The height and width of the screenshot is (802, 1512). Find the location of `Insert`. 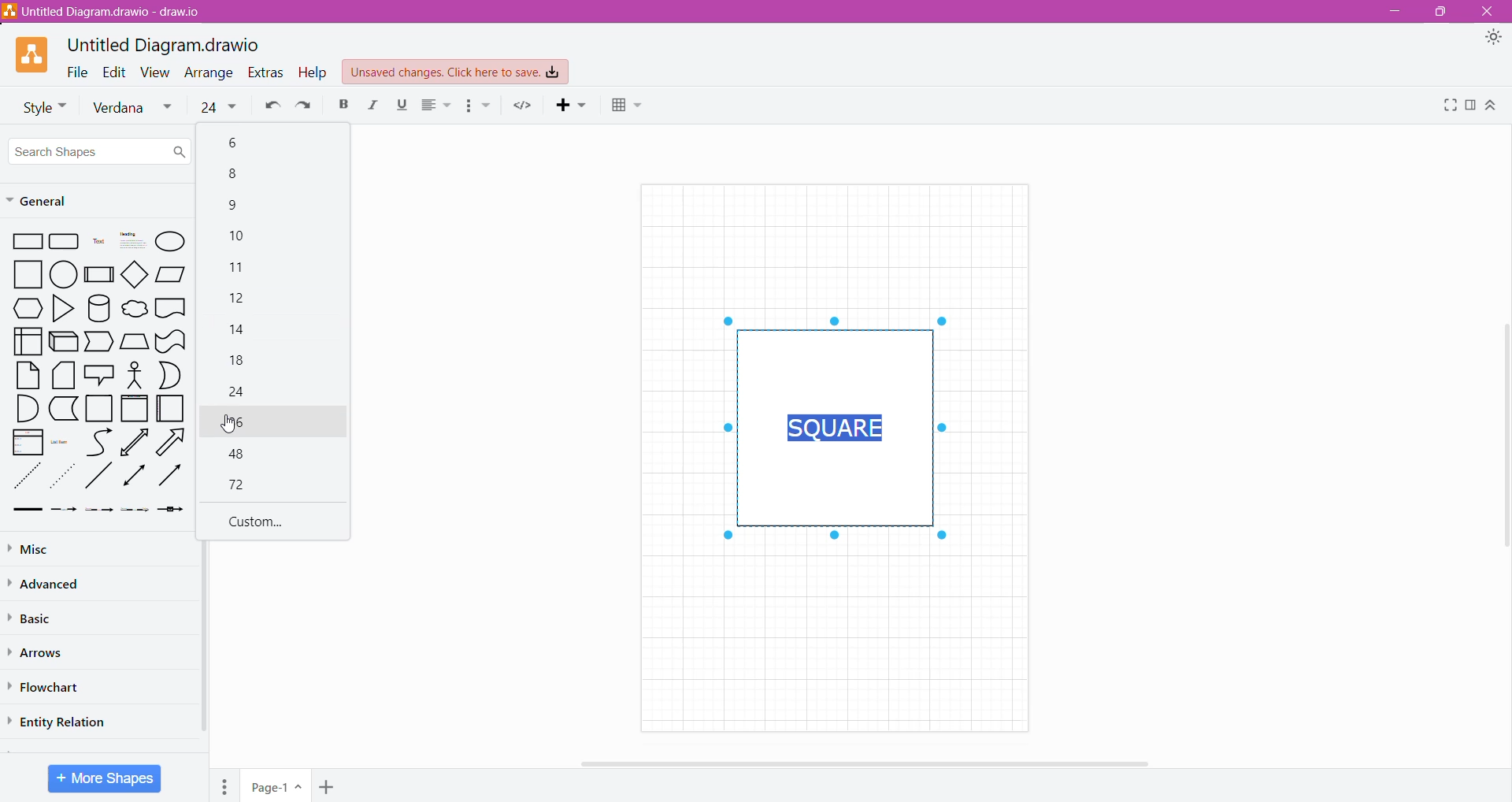

Insert is located at coordinates (565, 108).